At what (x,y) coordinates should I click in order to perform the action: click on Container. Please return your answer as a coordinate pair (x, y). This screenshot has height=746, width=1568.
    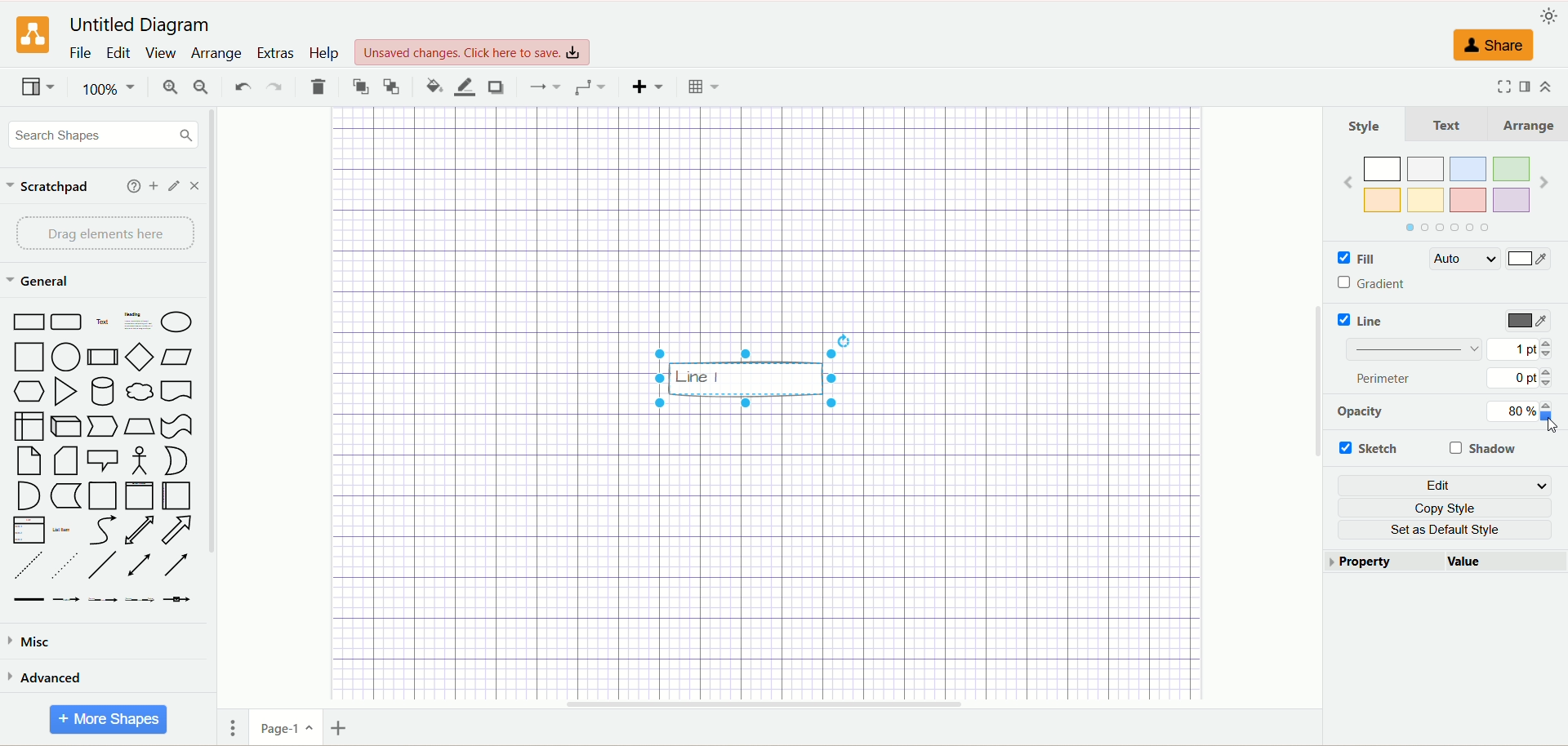
    Looking at the image, I should click on (103, 496).